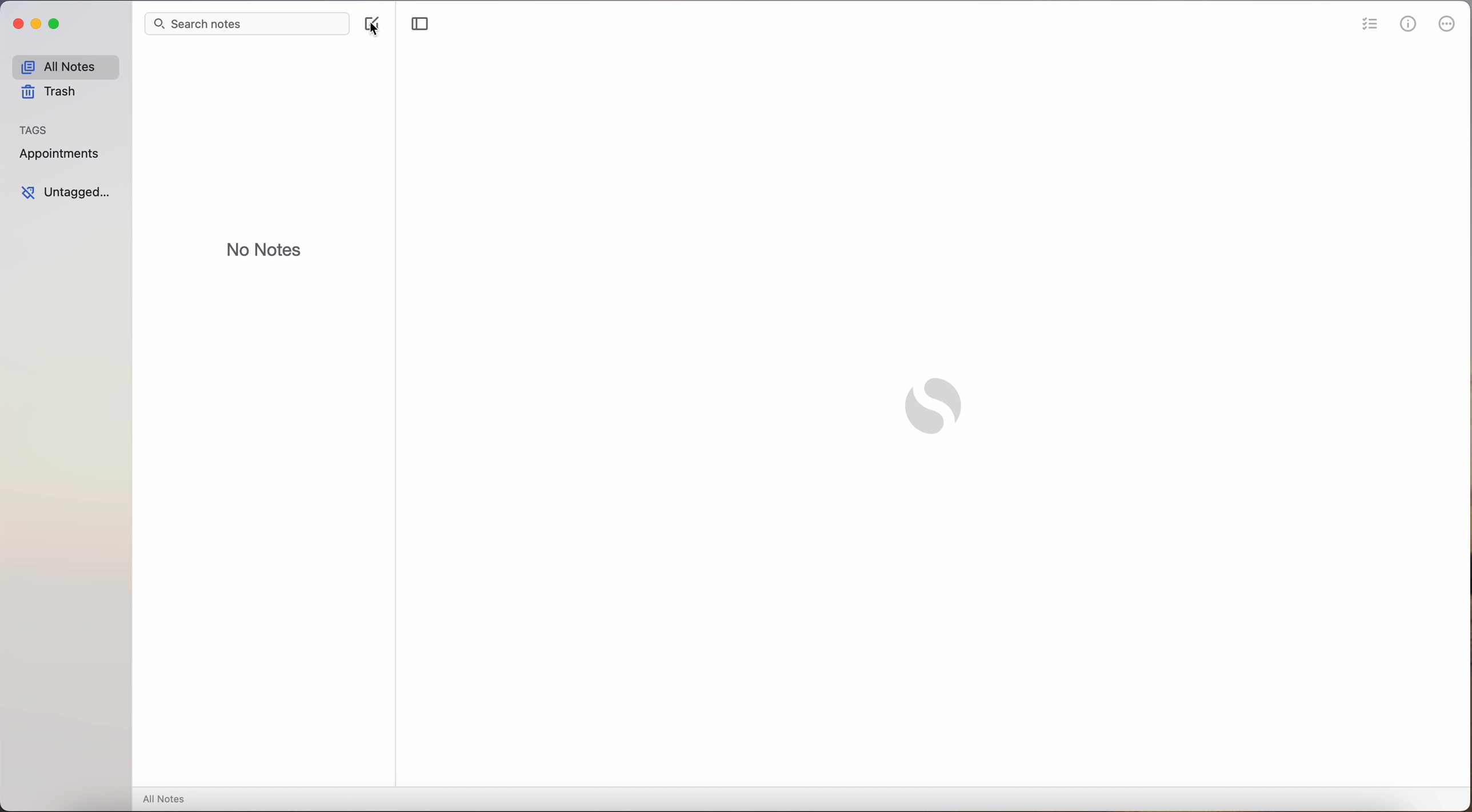 The image size is (1472, 812). I want to click on untagged, so click(67, 192).